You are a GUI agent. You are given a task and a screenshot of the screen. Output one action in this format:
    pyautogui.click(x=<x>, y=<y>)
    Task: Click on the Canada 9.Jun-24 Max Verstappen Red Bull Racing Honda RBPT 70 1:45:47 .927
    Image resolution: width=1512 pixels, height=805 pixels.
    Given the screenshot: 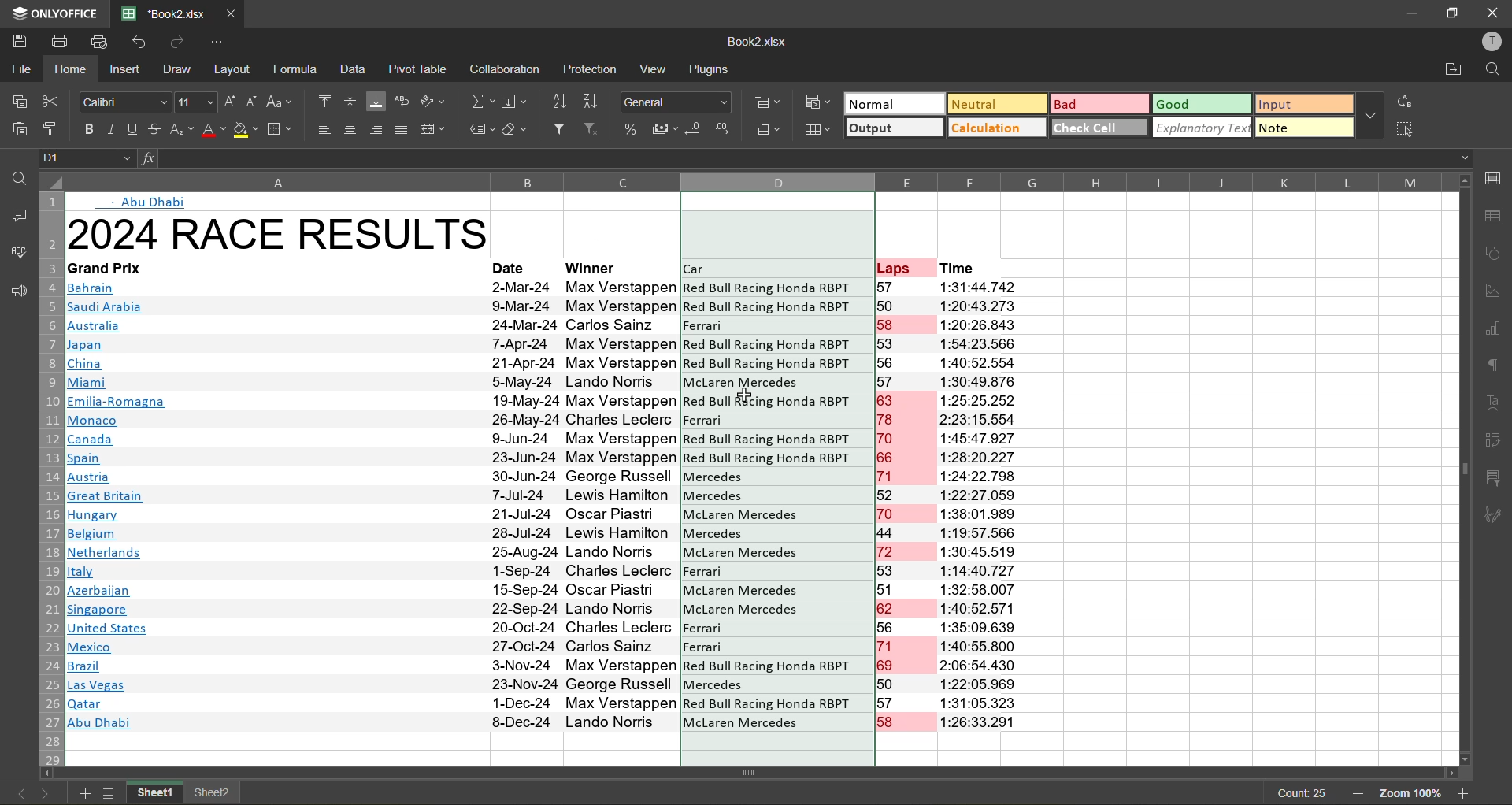 What is the action you would take?
    pyautogui.click(x=540, y=439)
    